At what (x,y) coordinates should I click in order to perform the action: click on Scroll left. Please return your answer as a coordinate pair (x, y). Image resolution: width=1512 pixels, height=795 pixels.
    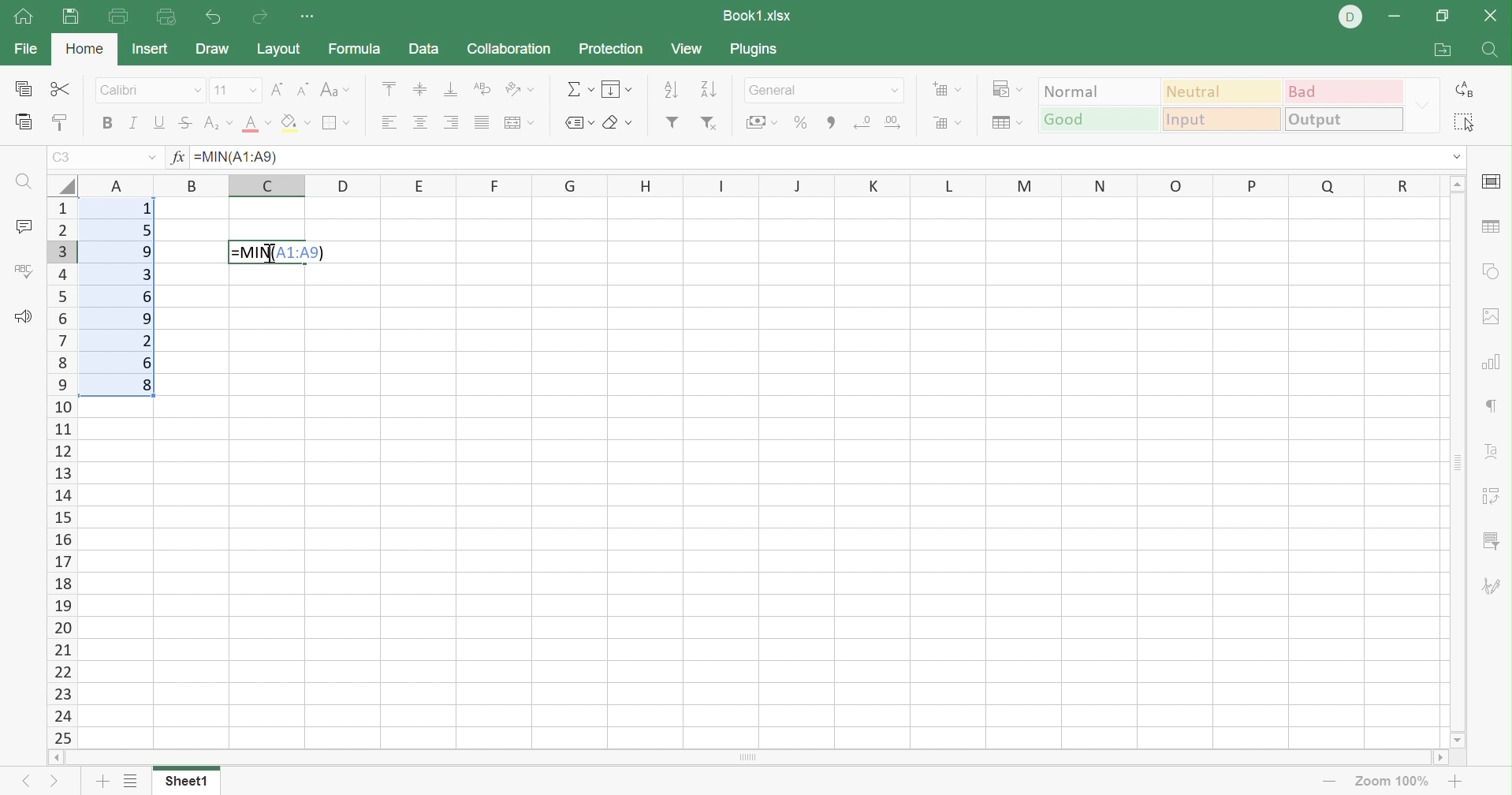
    Looking at the image, I should click on (49, 756).